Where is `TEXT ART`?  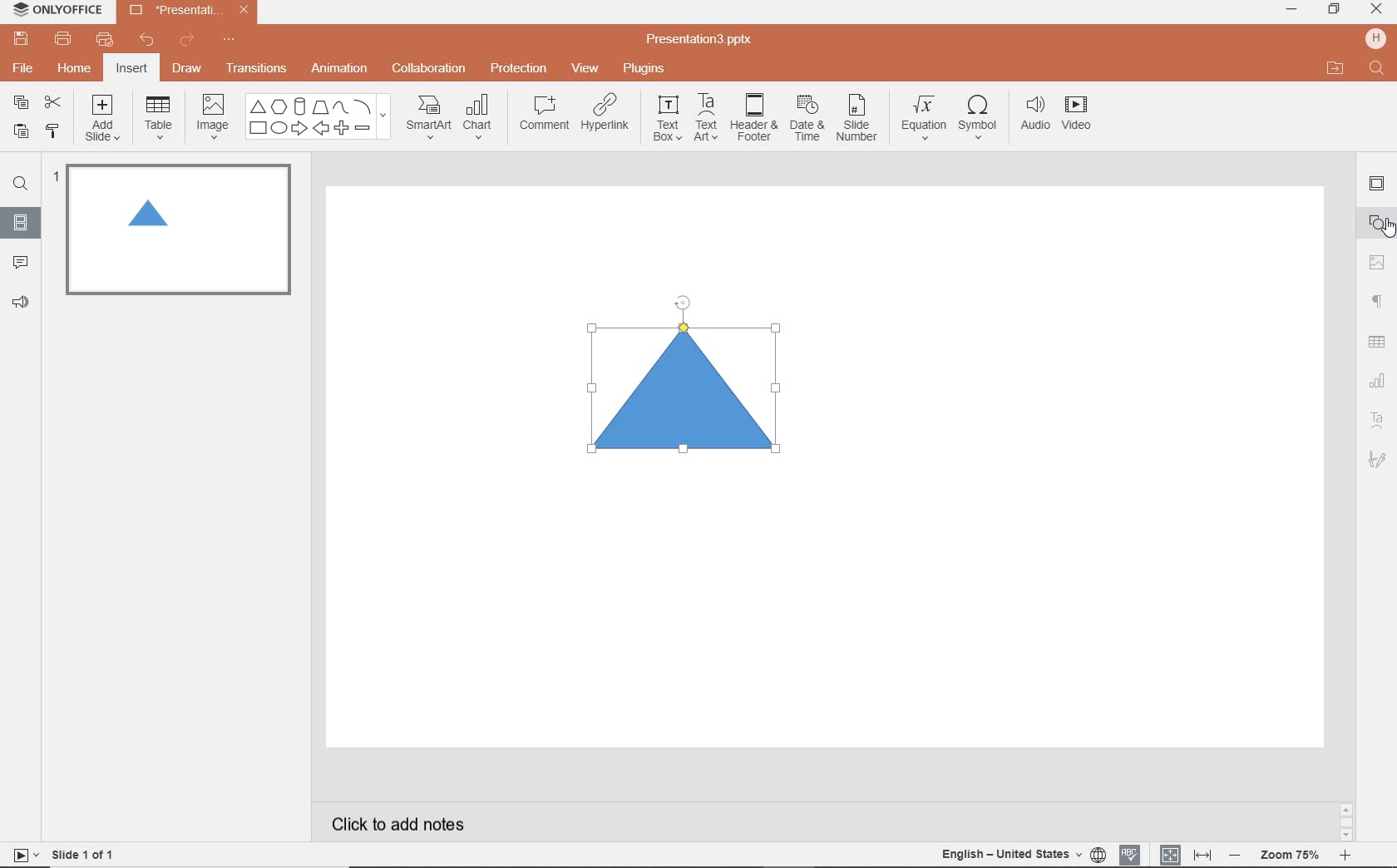 TEXT ART is located at coordinates (704, 119).